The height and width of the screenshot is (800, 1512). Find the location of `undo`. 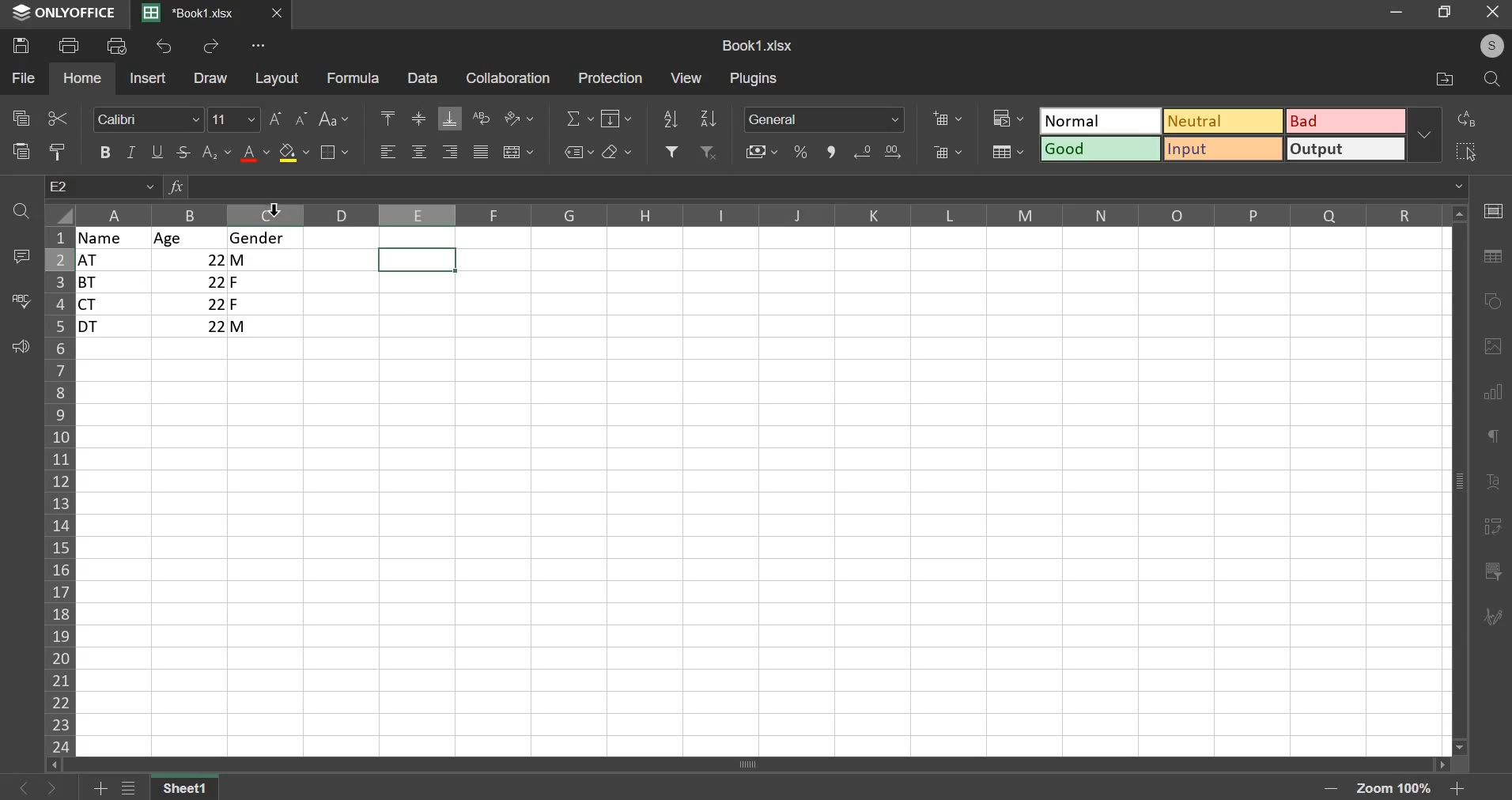

undo is located at coordinates (164, 47).